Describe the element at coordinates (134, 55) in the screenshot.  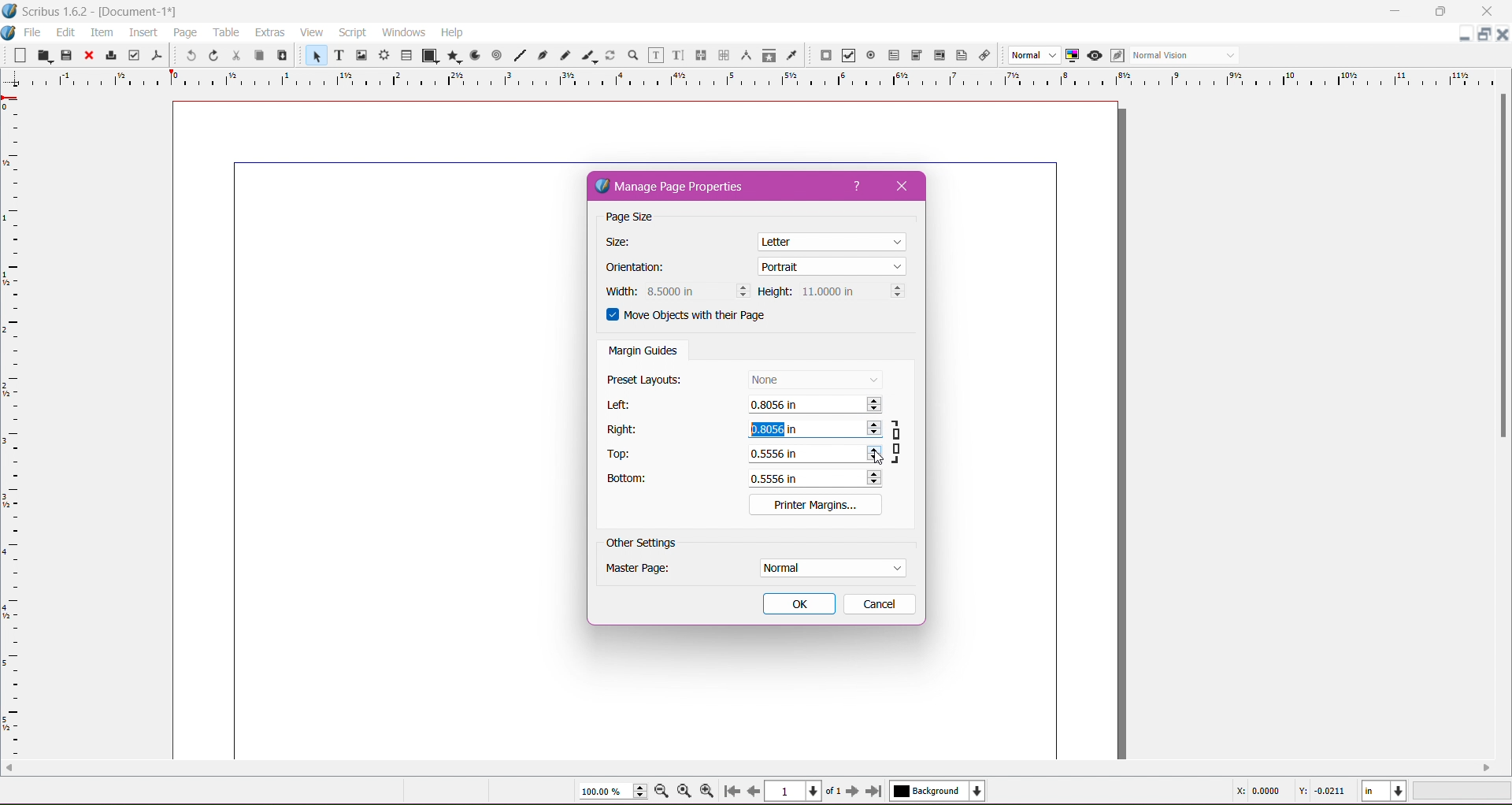
I see `Preflight Verifier` at that location.